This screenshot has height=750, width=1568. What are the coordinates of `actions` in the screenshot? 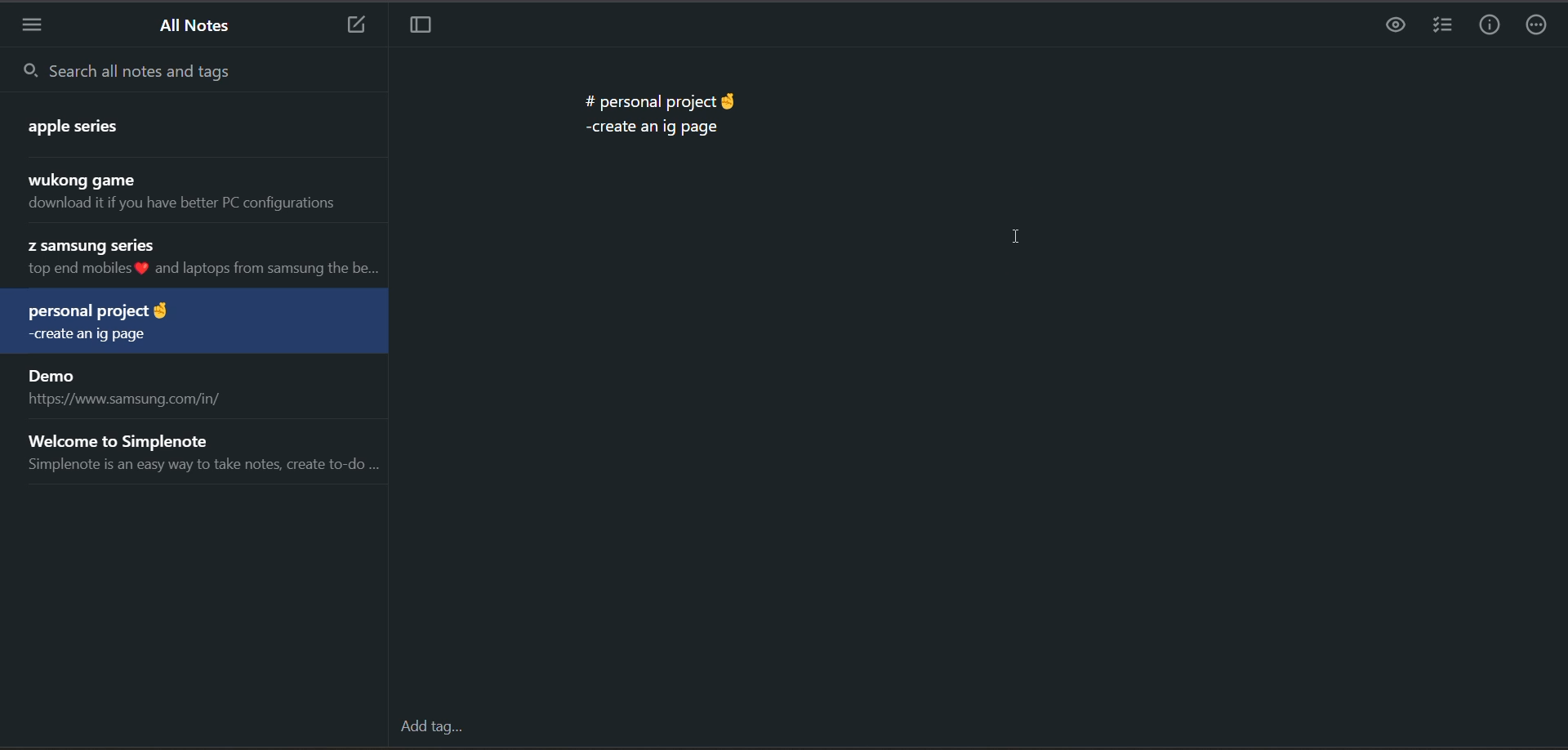 It's located at (1537, 27).